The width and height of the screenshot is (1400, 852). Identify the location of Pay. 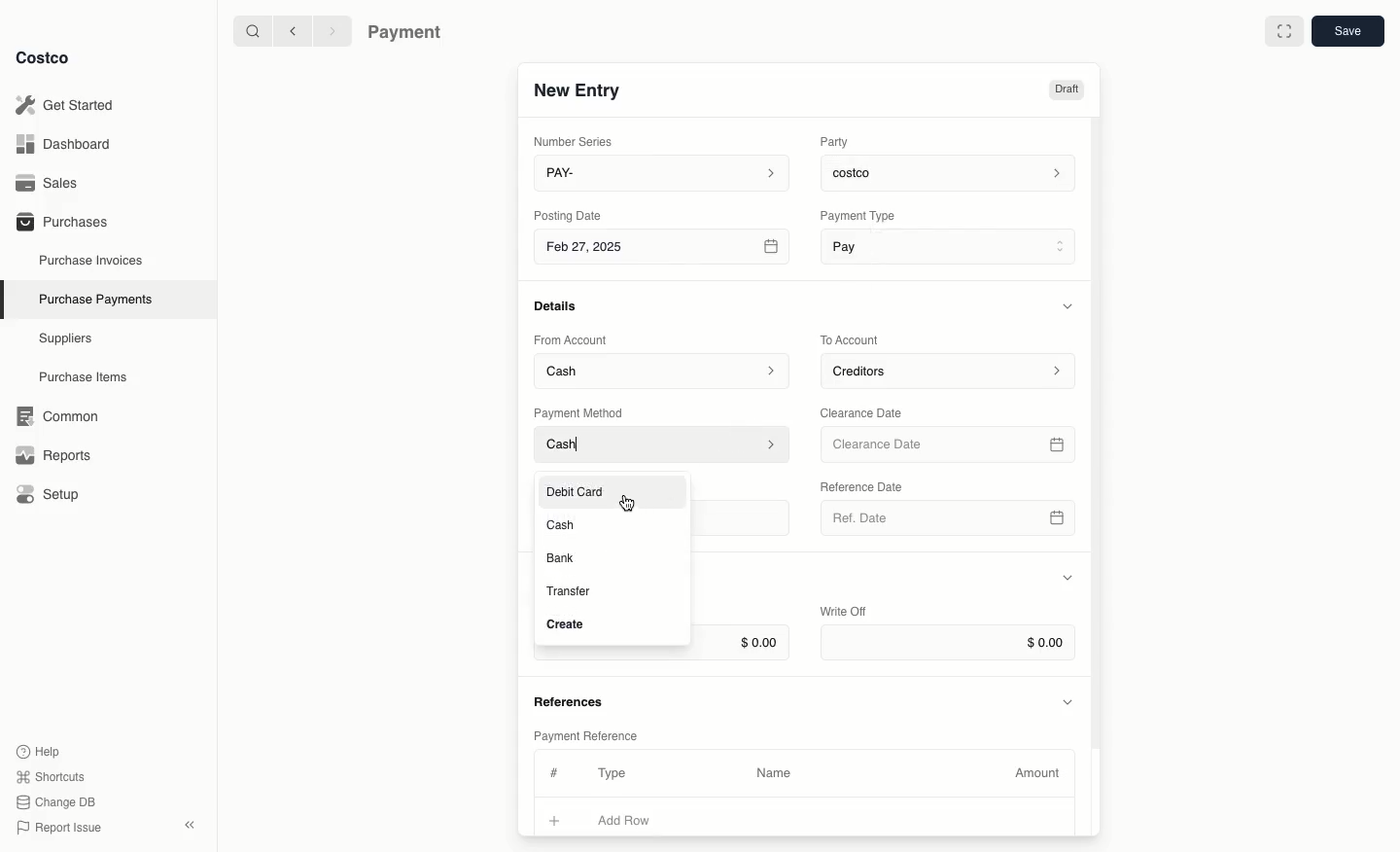
(951, 245).